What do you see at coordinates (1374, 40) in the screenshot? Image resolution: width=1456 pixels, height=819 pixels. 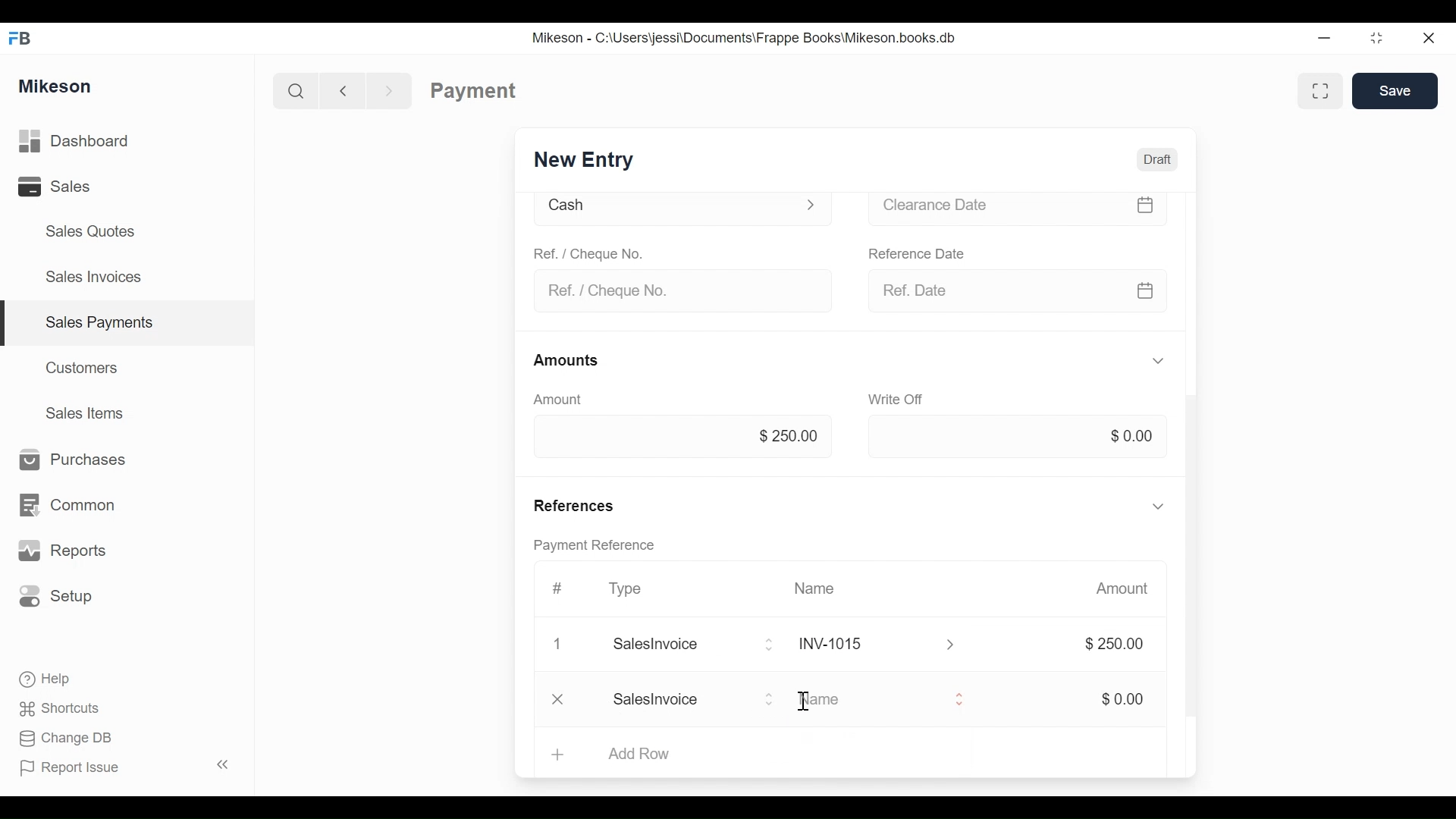 I see `Maximize` at bounding box center [1374, 40].